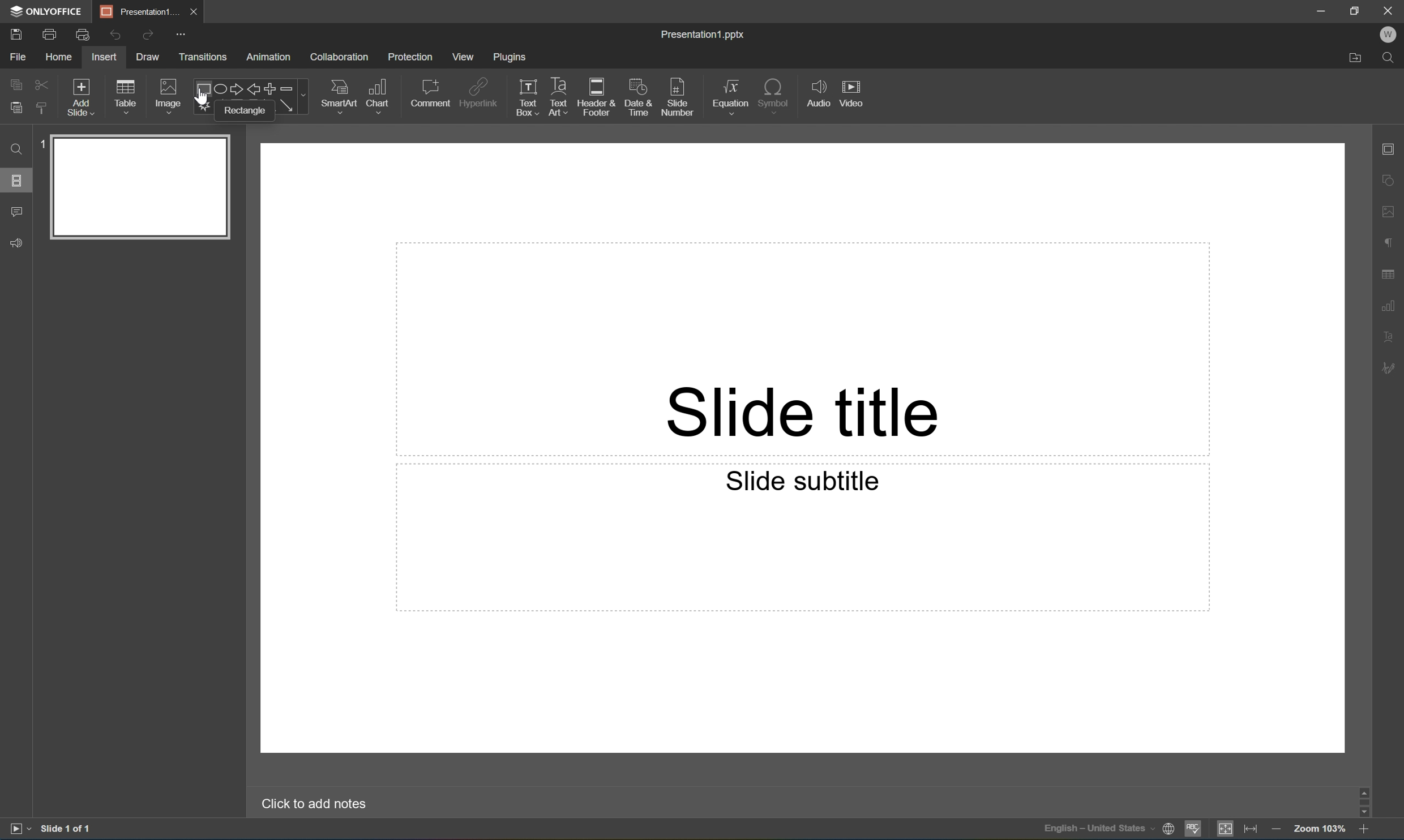  I want to click on Find, so click(1391, 59).